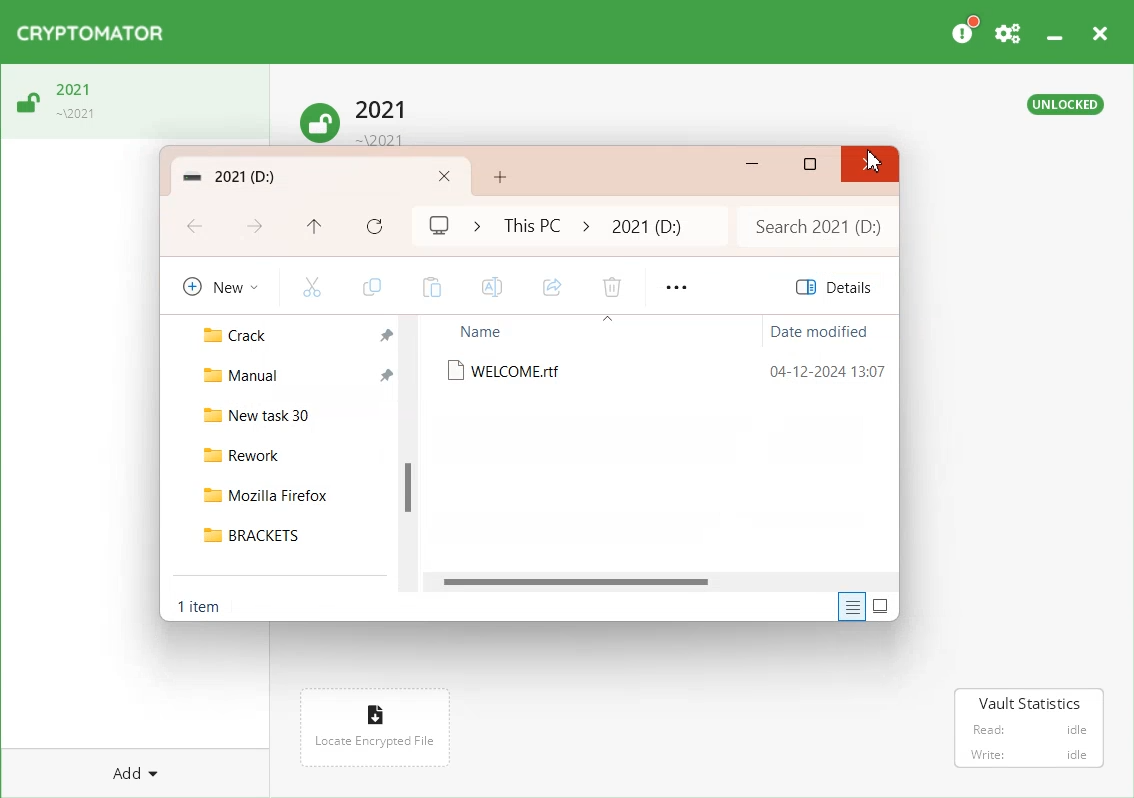 Image resolution: width=1134 pixels, height=798 pixels. I want to click on icon, so click(584, 226).